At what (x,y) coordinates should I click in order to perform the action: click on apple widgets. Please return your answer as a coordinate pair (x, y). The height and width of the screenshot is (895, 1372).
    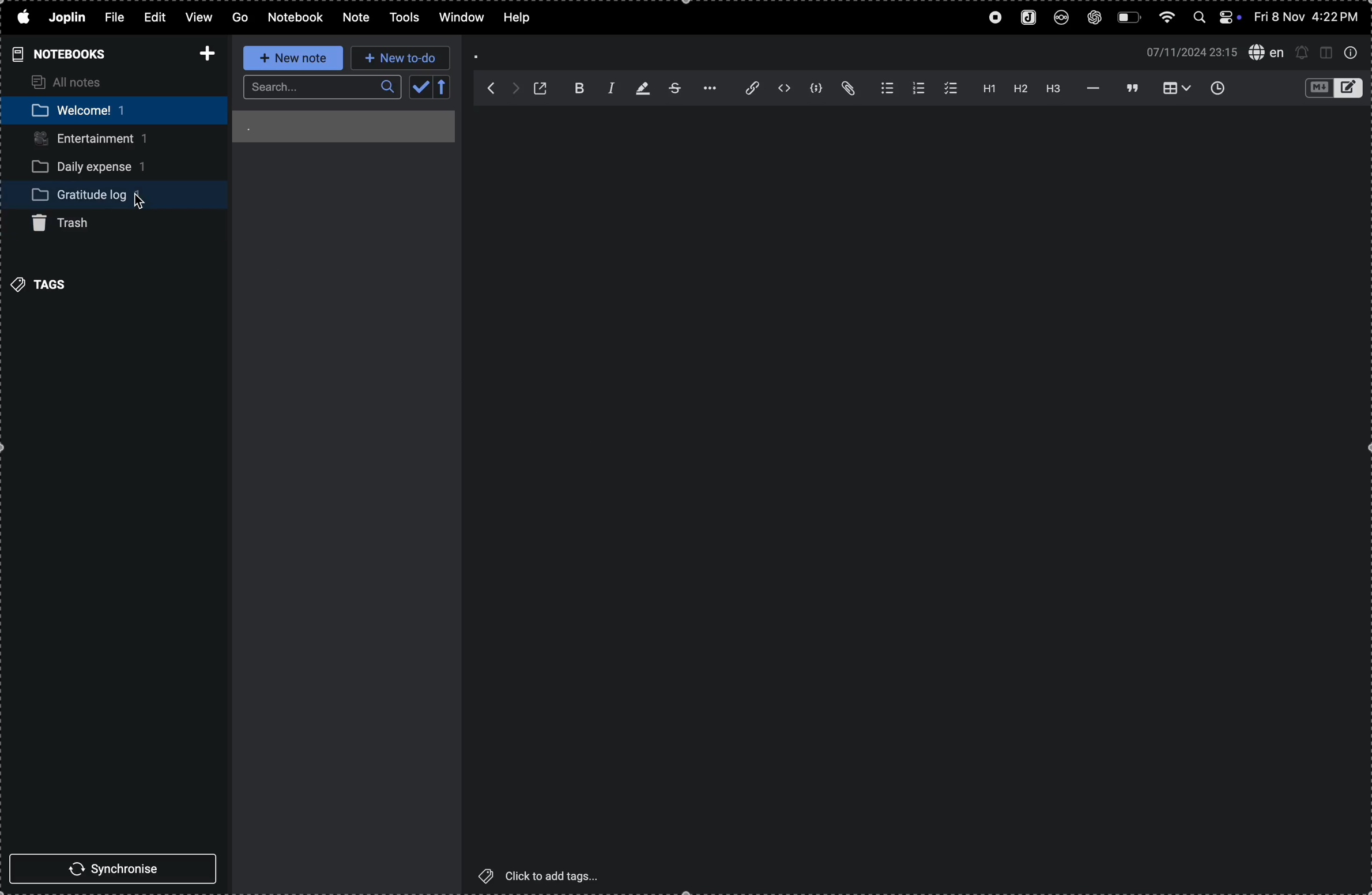
    Looking at the image, I should click on (1213, 16).